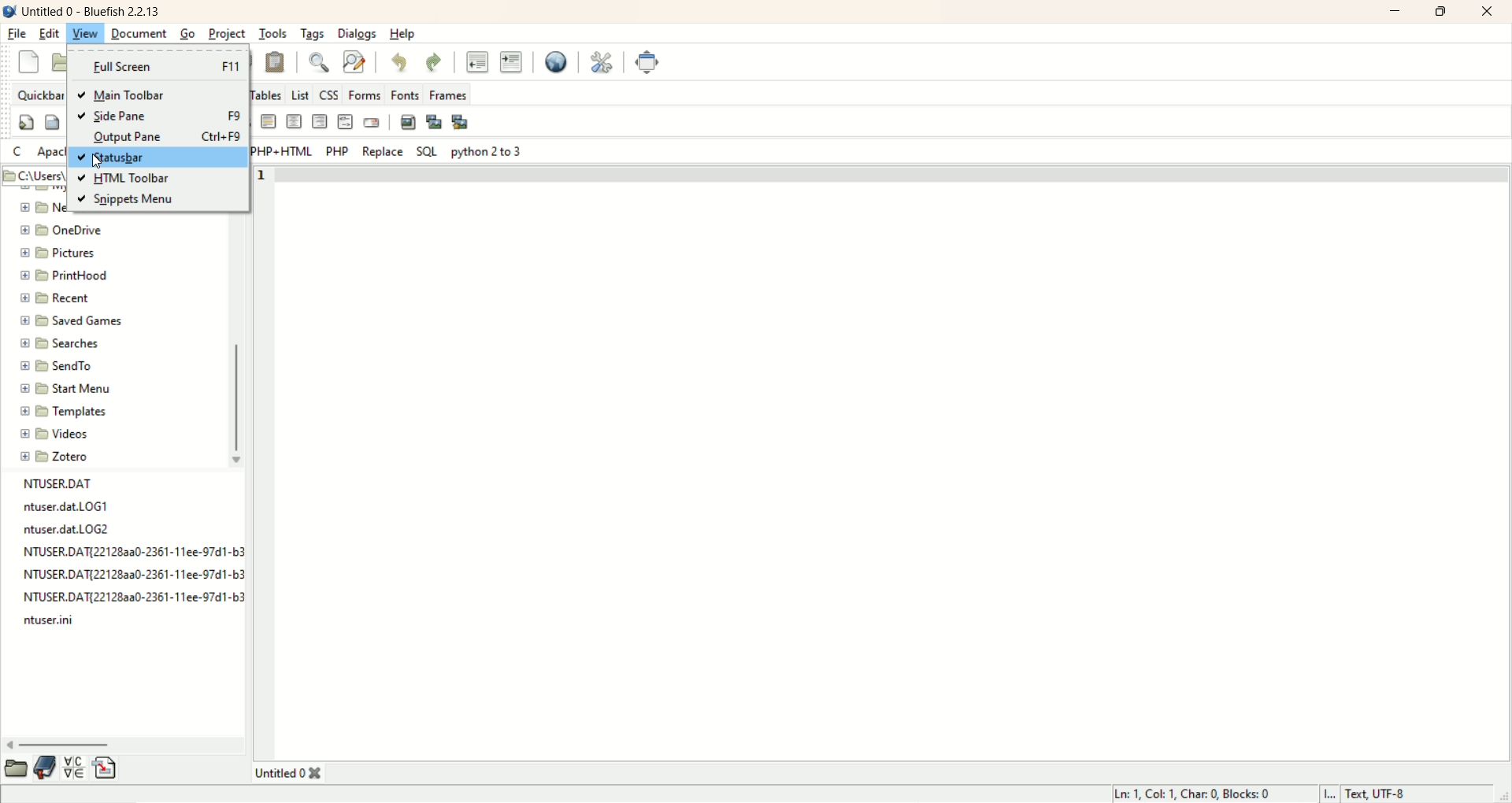 The width and height of the screenshot is (1512, 803). Describe the element at coordinates (59, 61) in the screenshot. I see `open file` at that location.